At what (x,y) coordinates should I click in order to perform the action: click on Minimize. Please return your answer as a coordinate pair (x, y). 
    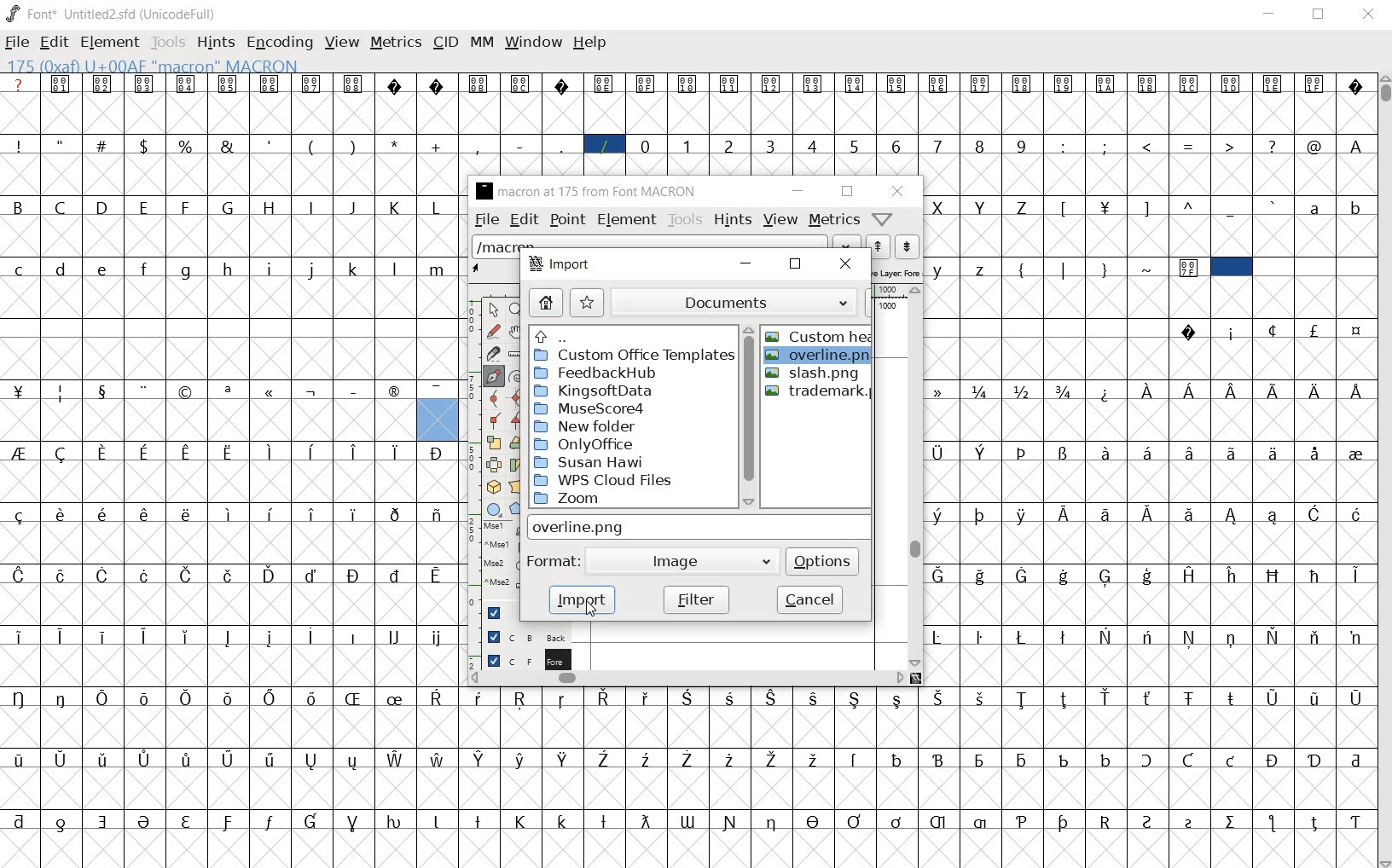
    Looking at the image, I should click on (1270, 15).